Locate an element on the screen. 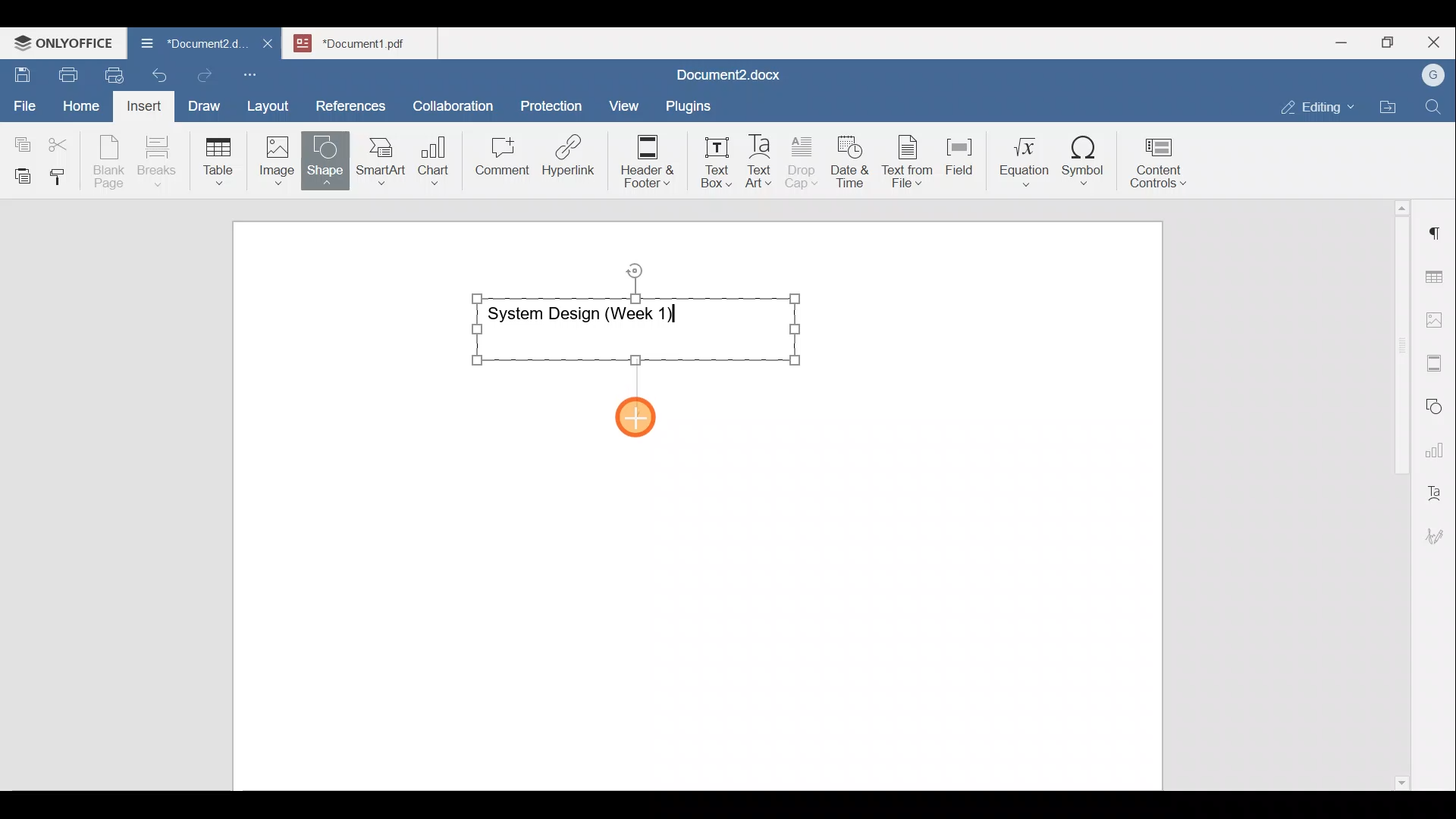  Paste is located at coordinates (19, 172).